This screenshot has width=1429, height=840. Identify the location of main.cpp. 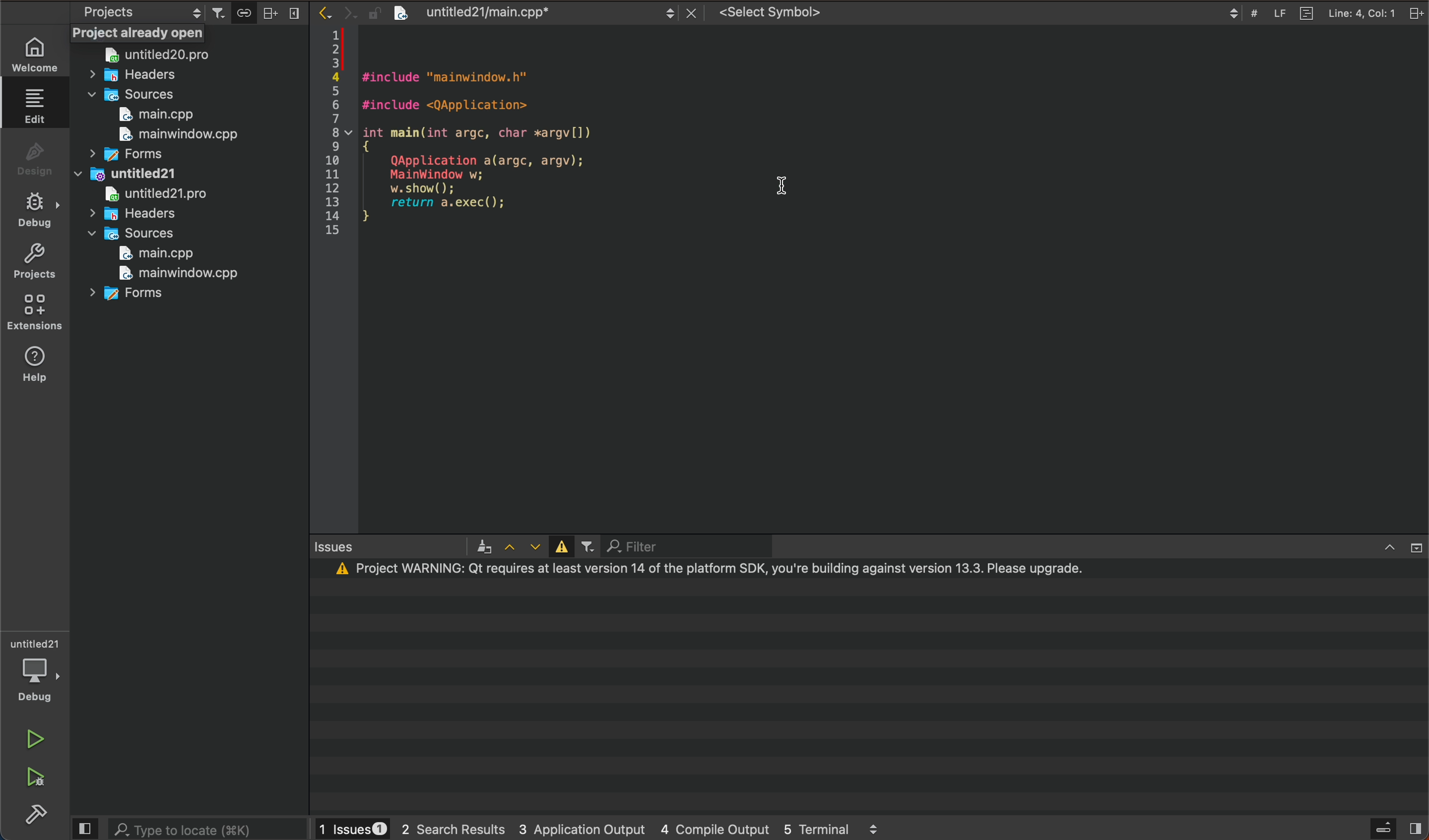
(160, 254).